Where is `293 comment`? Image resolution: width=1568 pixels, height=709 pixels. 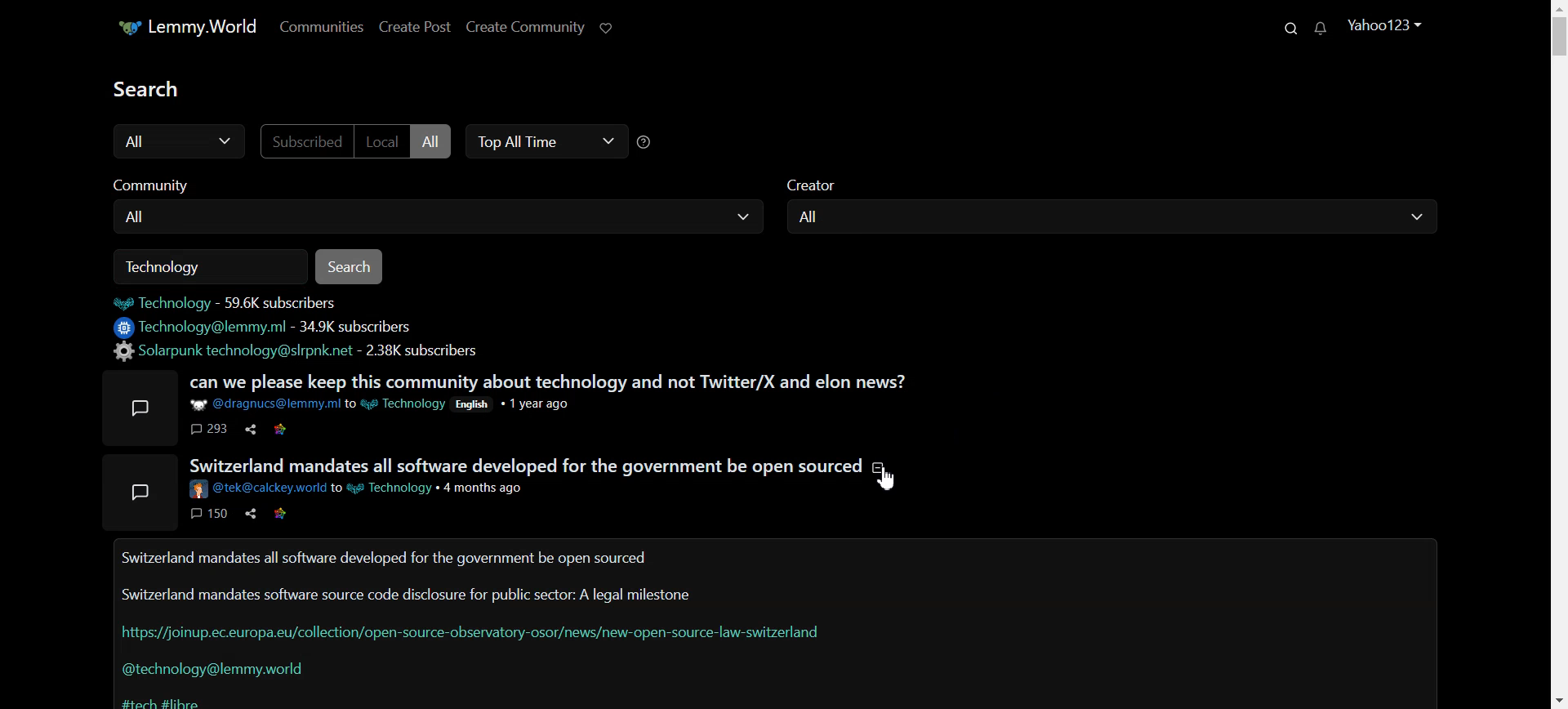
293 comment is located at coordinates (210, 430).